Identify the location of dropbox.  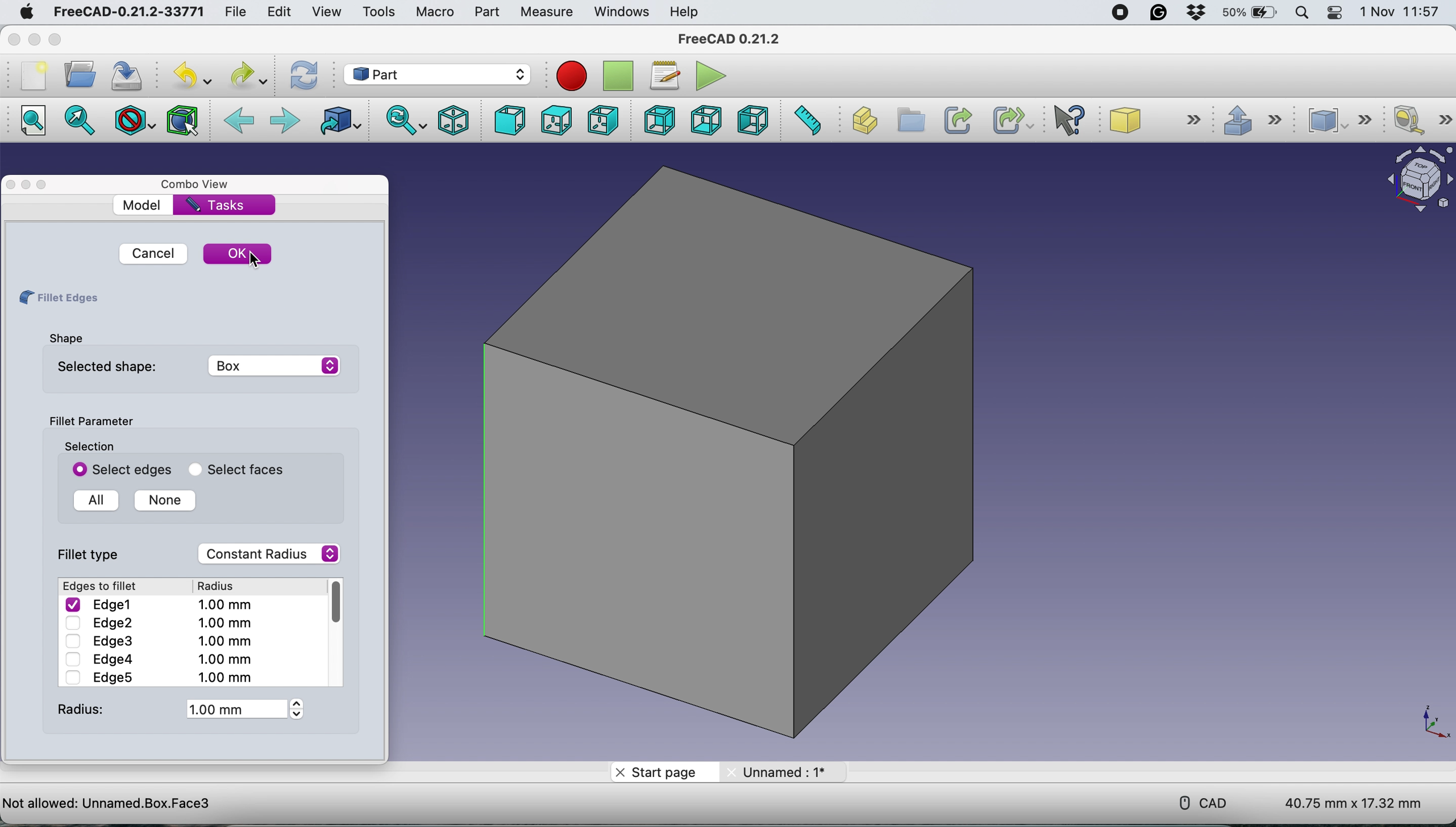
(1199, 12).